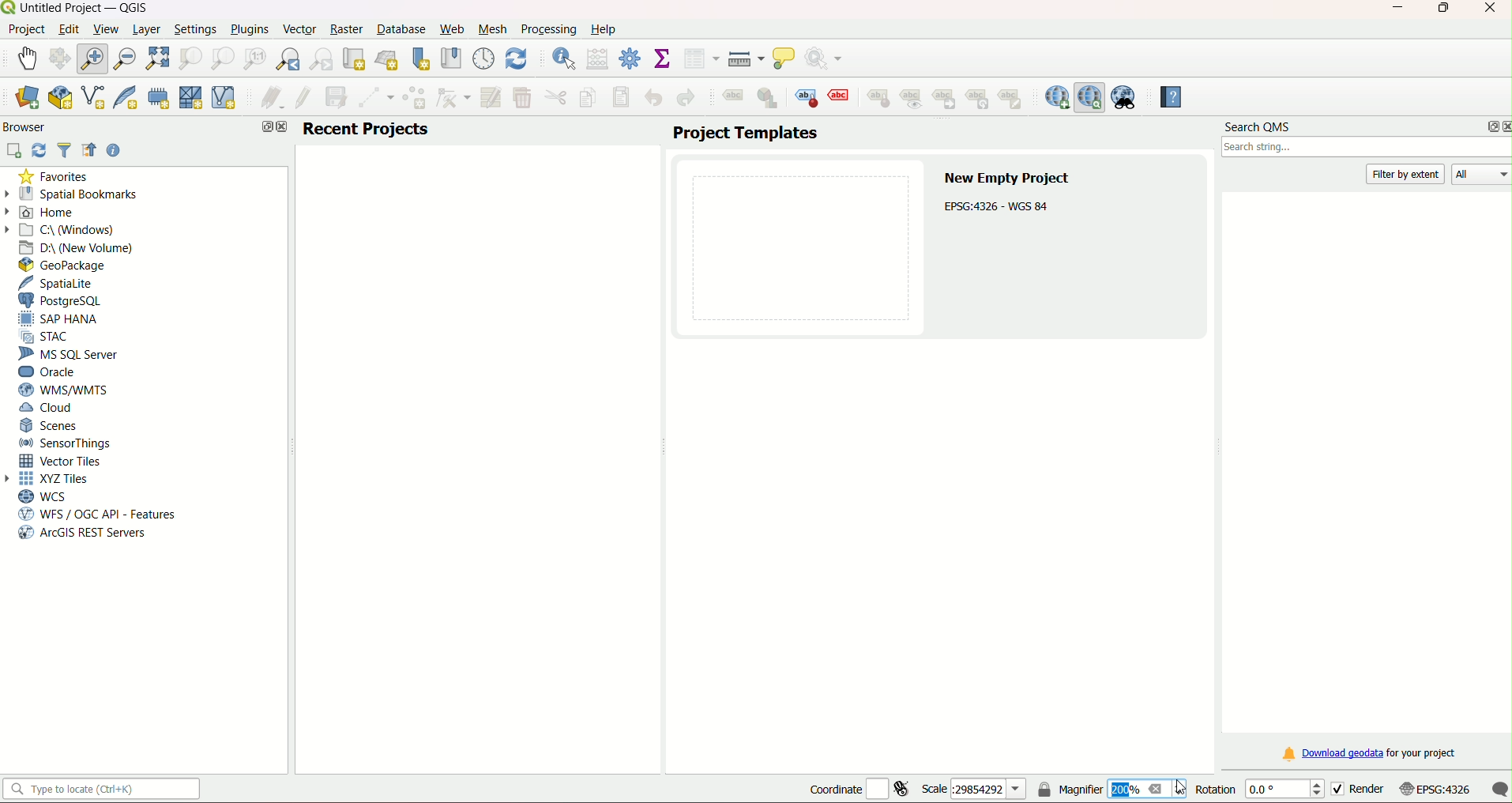  Describe the element at coordinates (1488, 9) in the screenshot. I see `close` at that location.